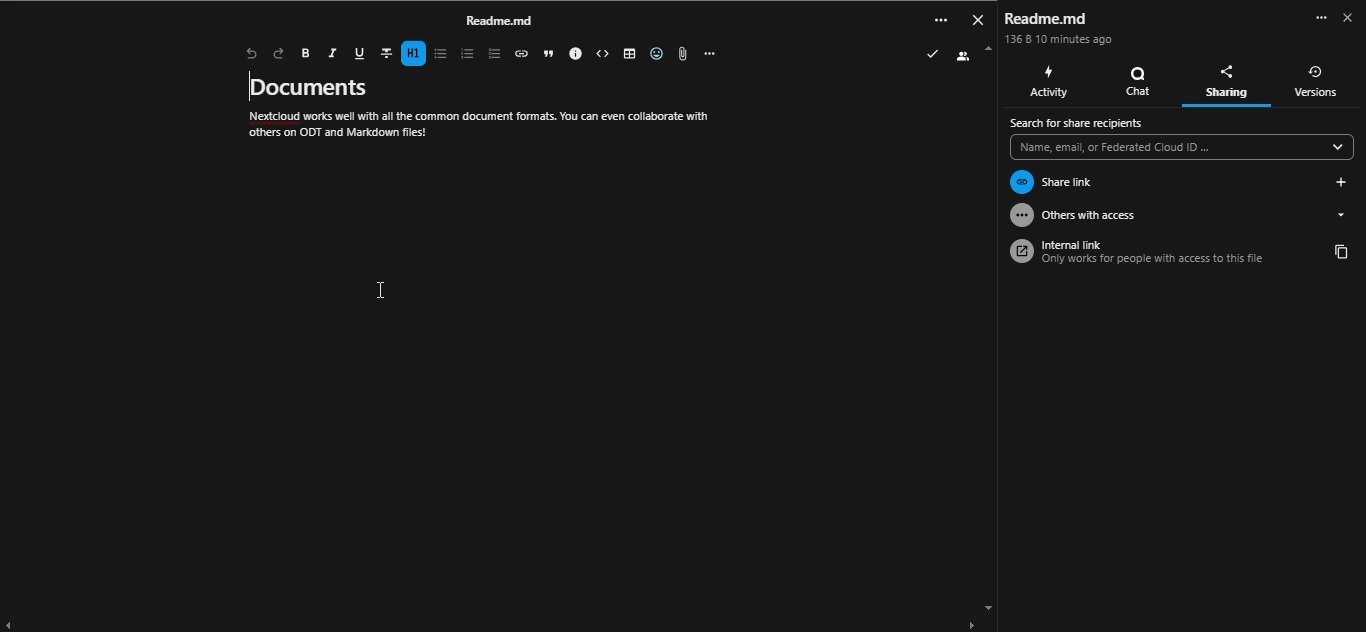 This screenshot has width=1366, height=632. I want to click on sharing, so click(1227, 81).